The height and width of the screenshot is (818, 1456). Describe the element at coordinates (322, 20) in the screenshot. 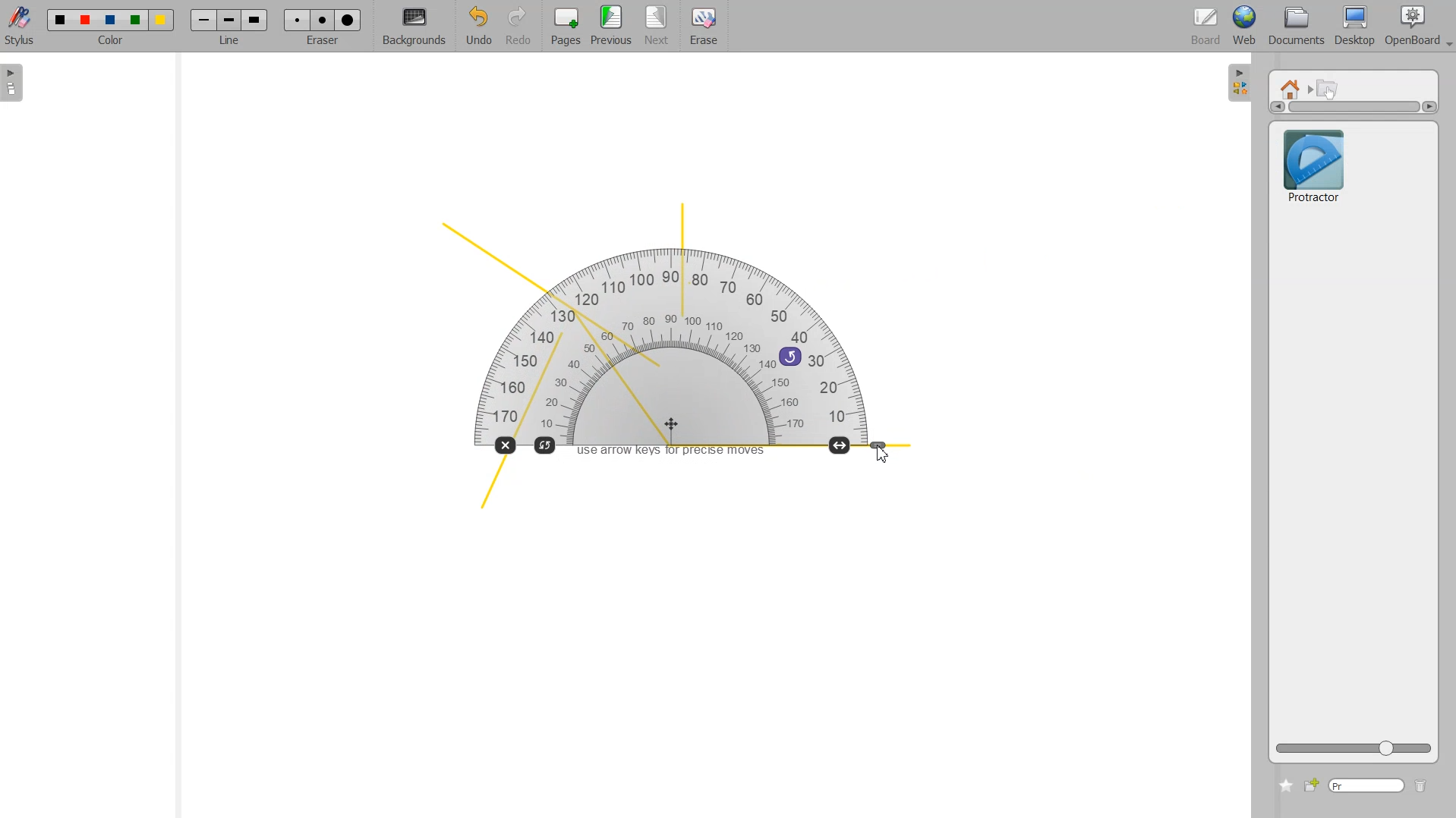

I see `Erase` at that location.